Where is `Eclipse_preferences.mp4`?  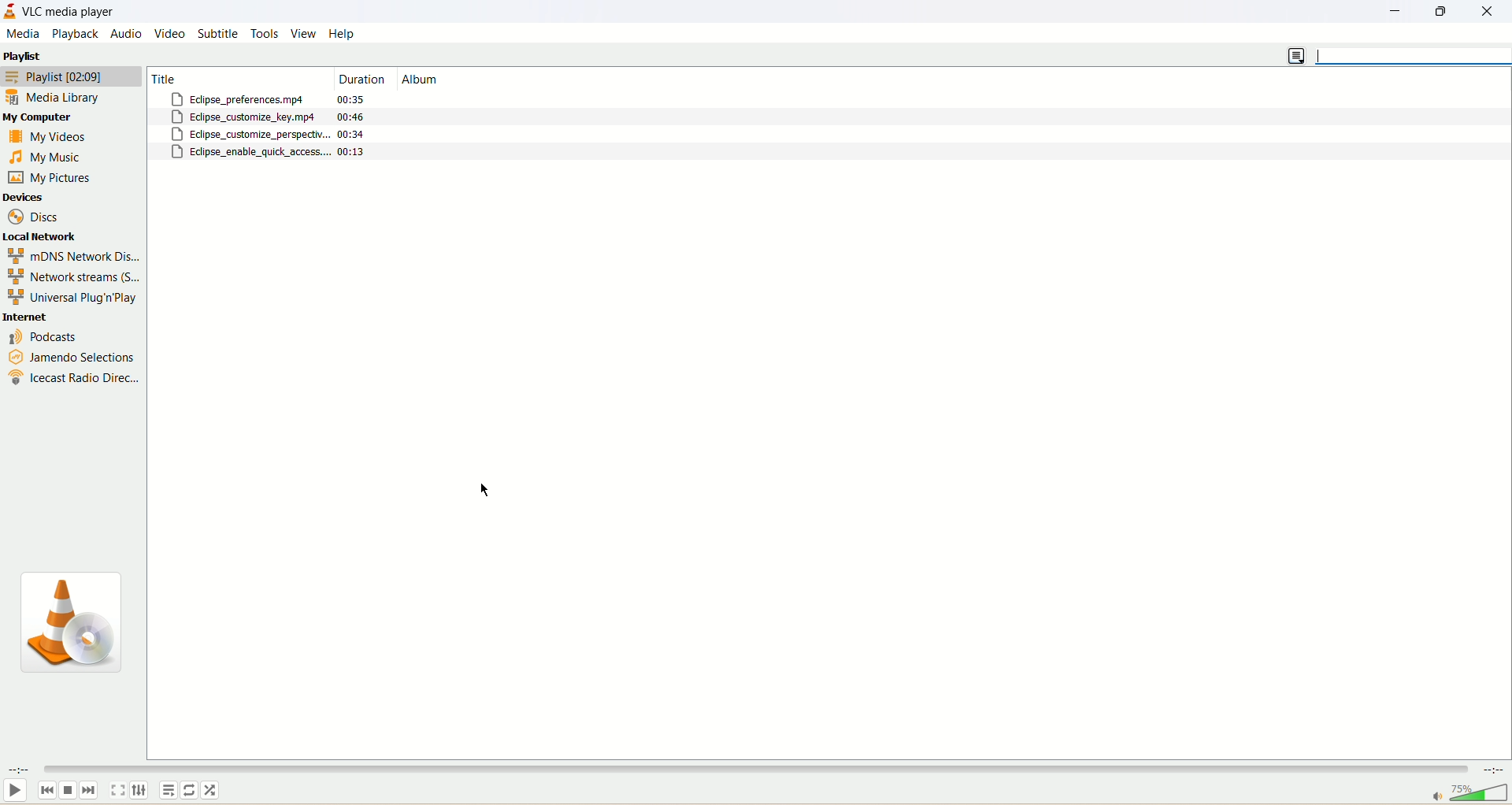
Eclipse_preferences.mp4 is located at coordinates (241, 98).